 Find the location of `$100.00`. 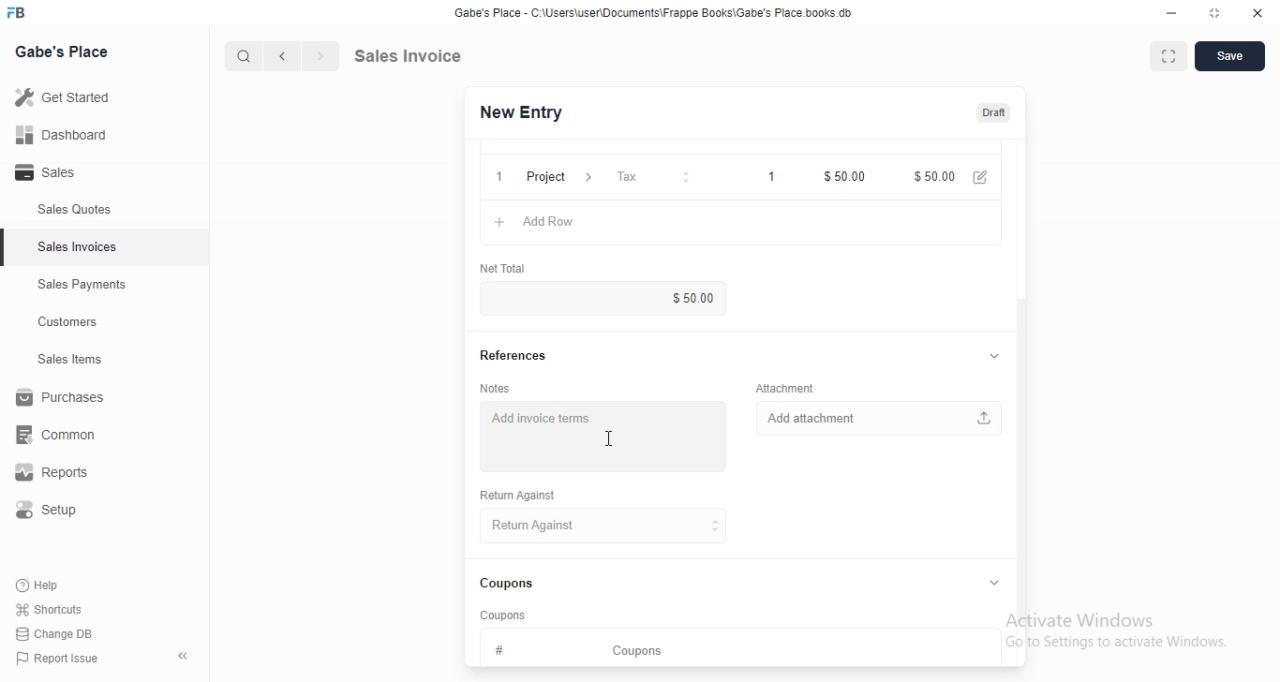

$100.00 is located at coordinates (679, 299).